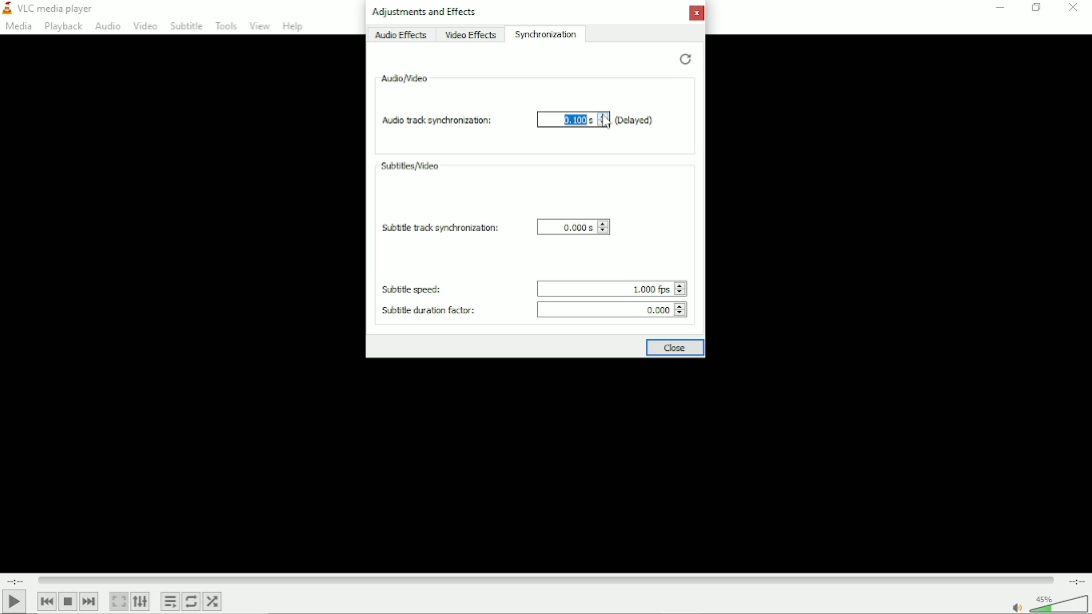  Describe the element at coordinates (613, 309) in the screenshot. I see `0.000` at that location.